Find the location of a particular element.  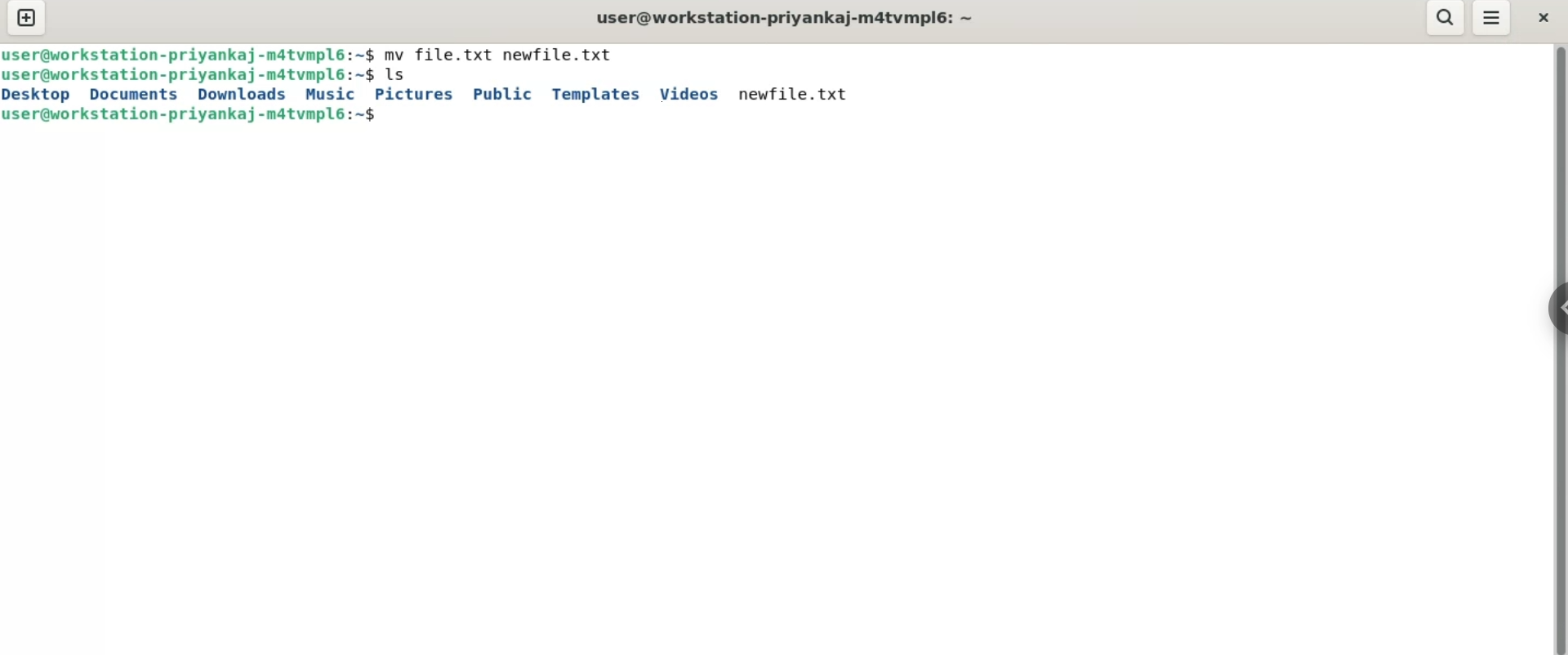

ls is located at coordinates (400, 73).